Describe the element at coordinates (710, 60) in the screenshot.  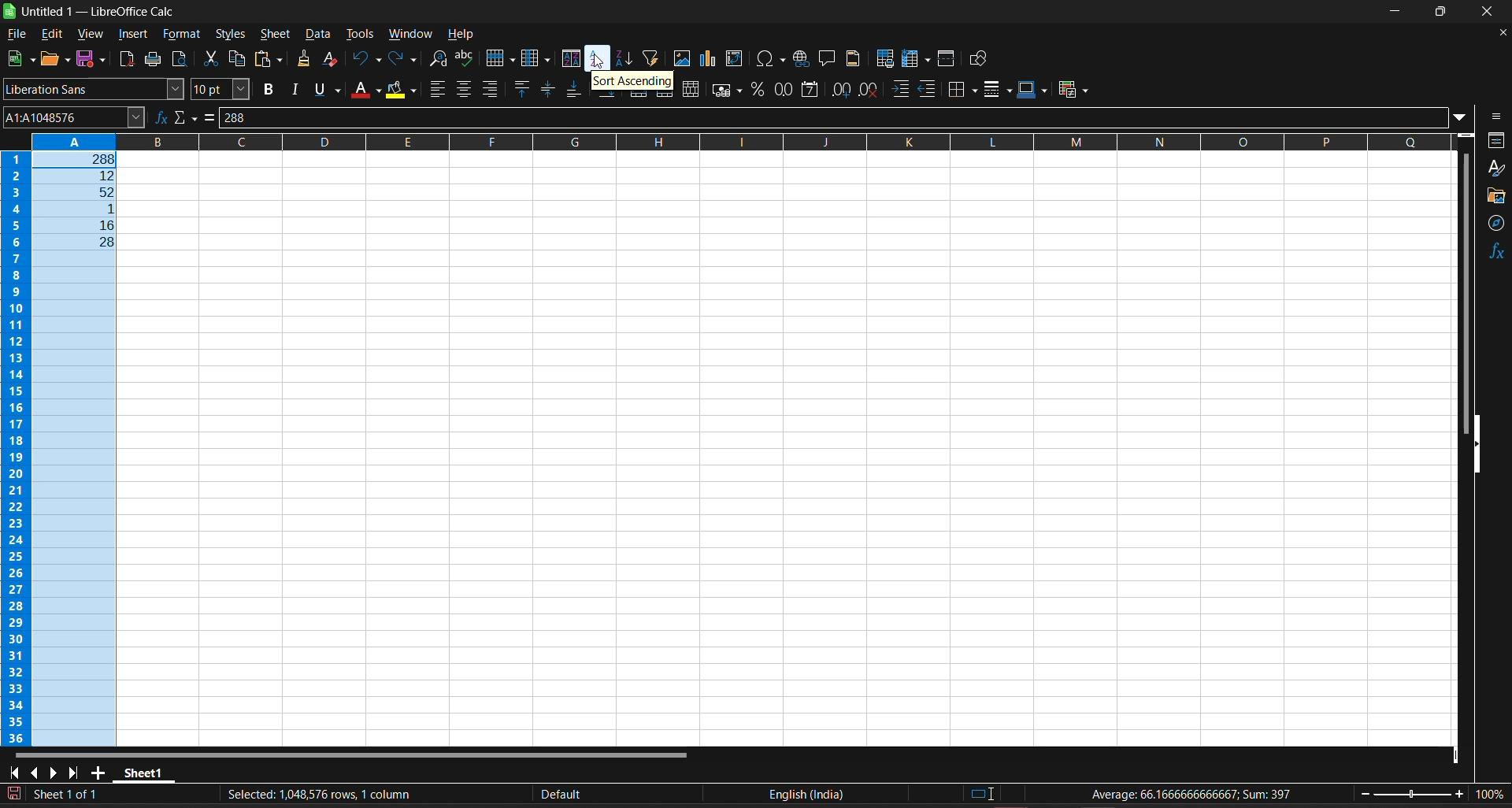
I see `insert pivot chart` at that location.